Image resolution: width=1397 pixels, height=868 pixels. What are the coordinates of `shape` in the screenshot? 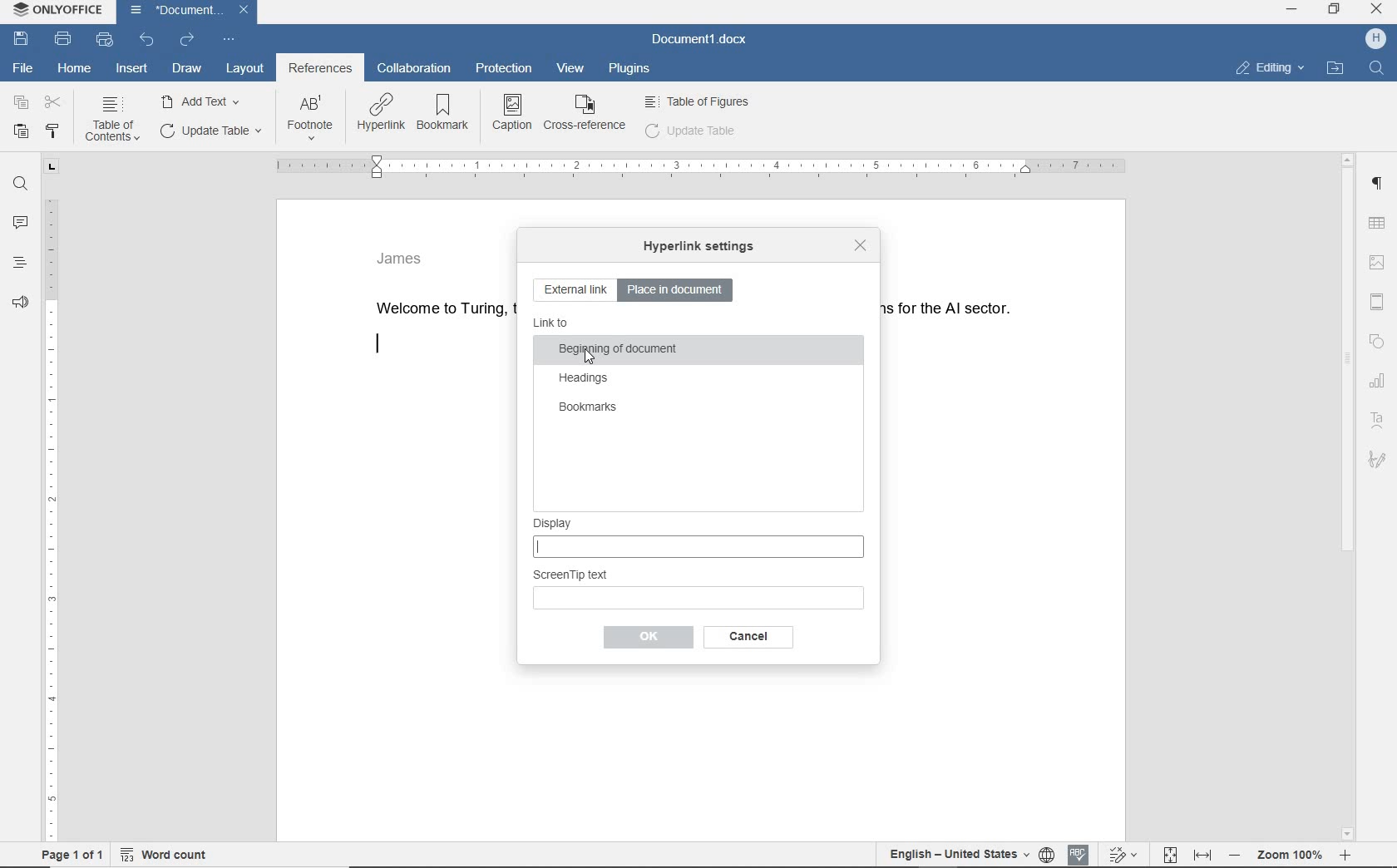 It's located at (1377, 343).